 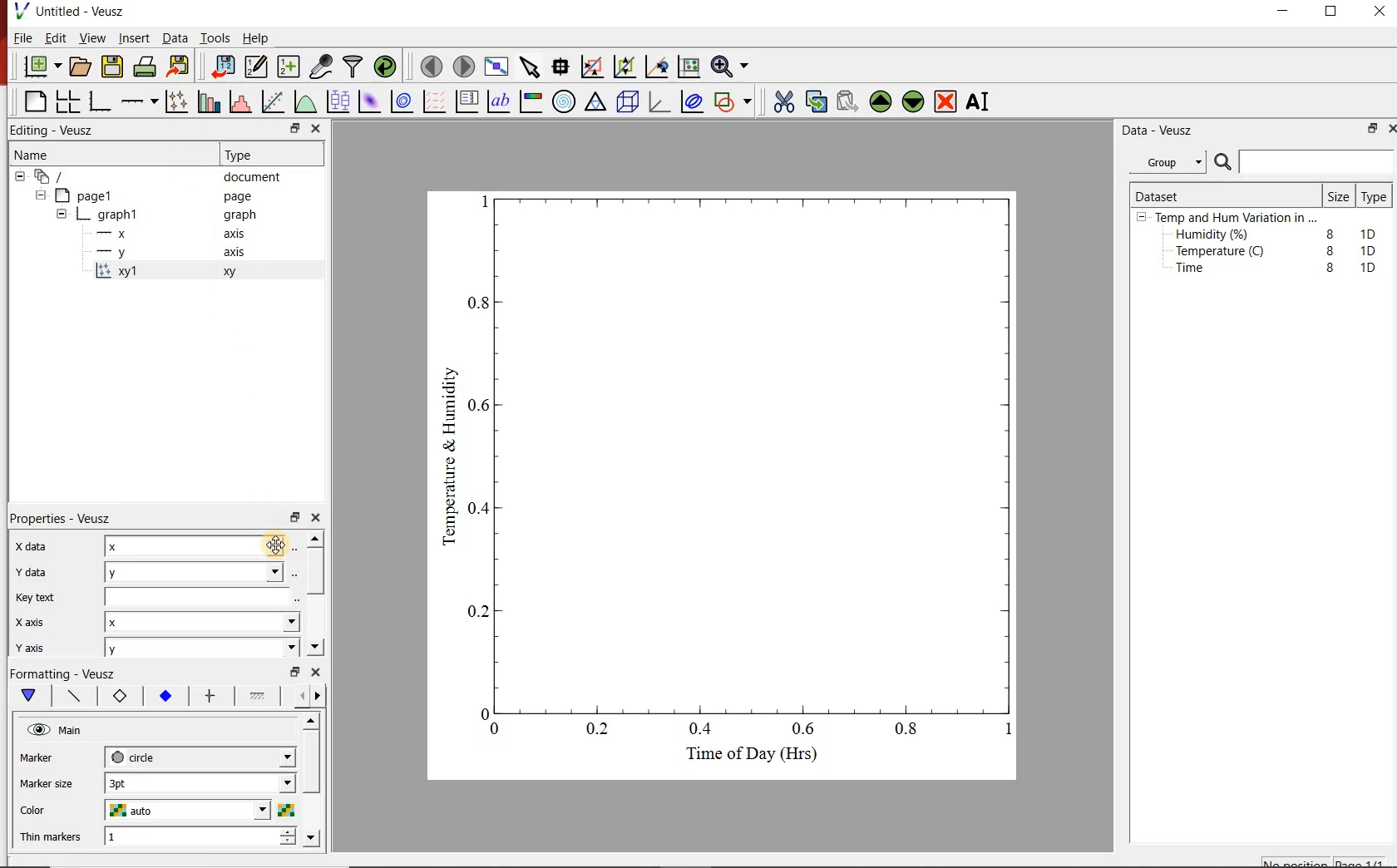 What do you see at coordinates (249, 155) in the screenshot?
I see `Type` at bounding box center [249, 155].